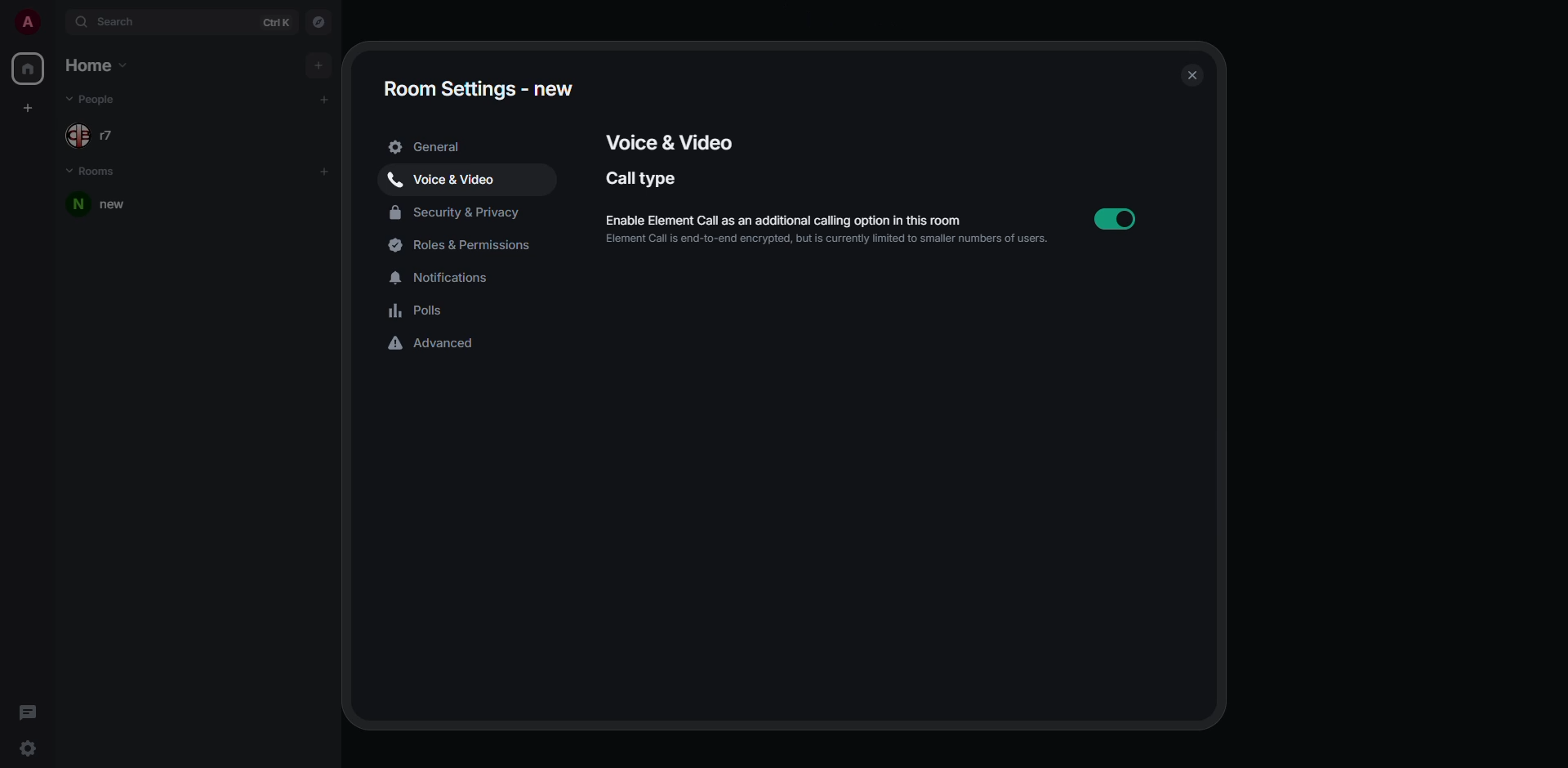 The image size is (1568, 768). Describe the element at coordinates (28, 711) in the screenshot. I see `threads` at that location.